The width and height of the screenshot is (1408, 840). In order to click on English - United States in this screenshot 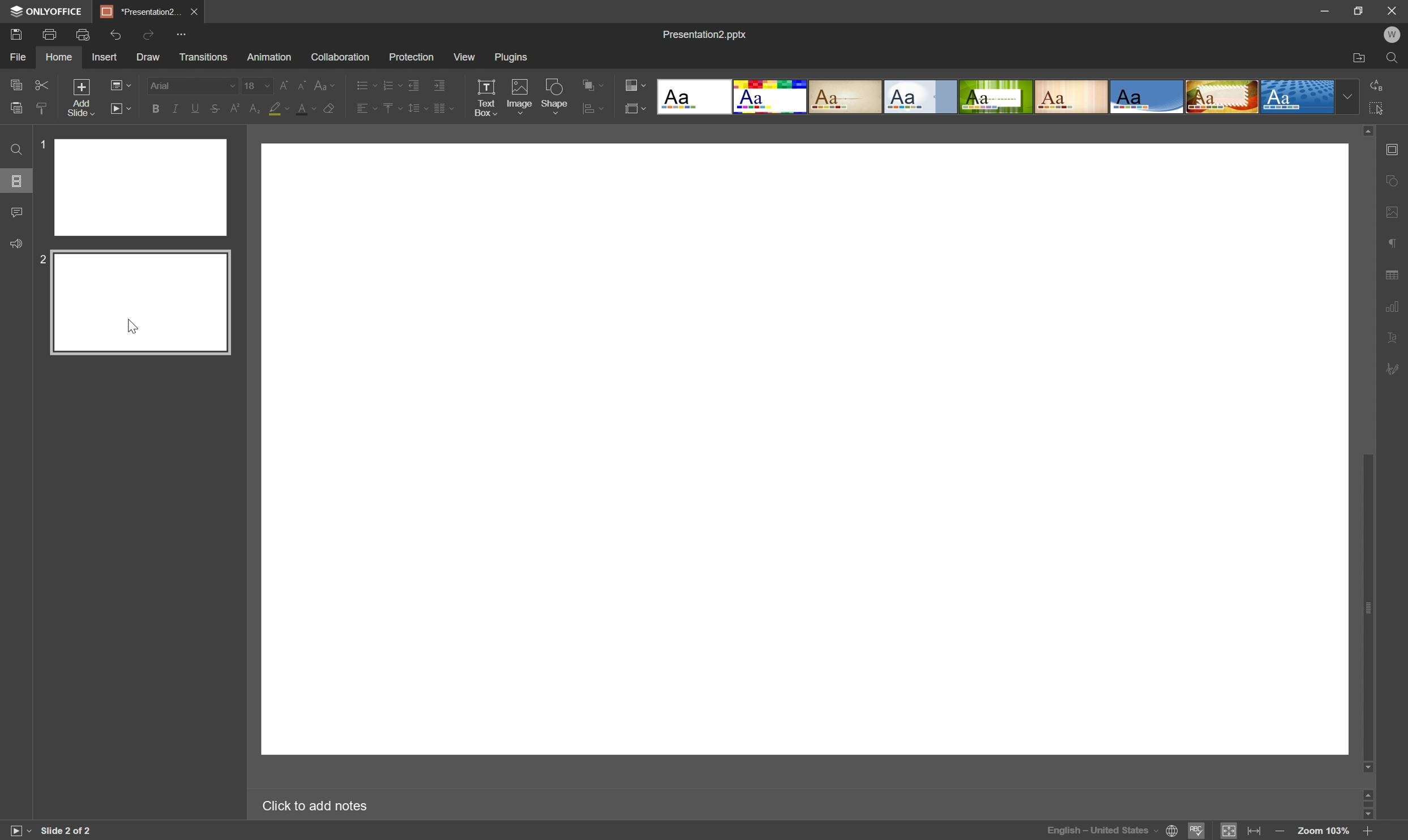, I will do `click(1100, 833)`.